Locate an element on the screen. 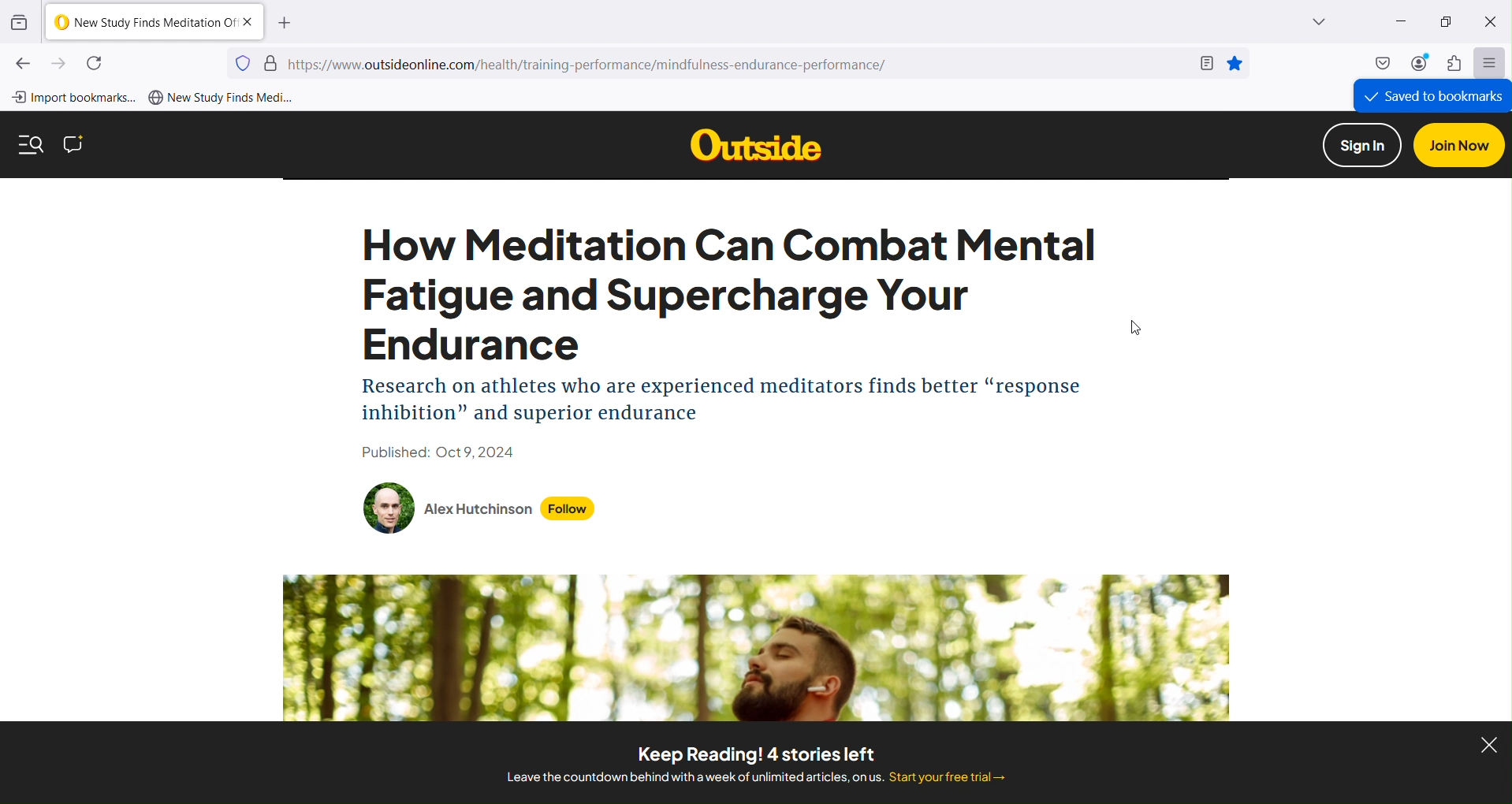 This screenshot has height=804, width=1512. Cursor is located at coordinates (1134, 327).